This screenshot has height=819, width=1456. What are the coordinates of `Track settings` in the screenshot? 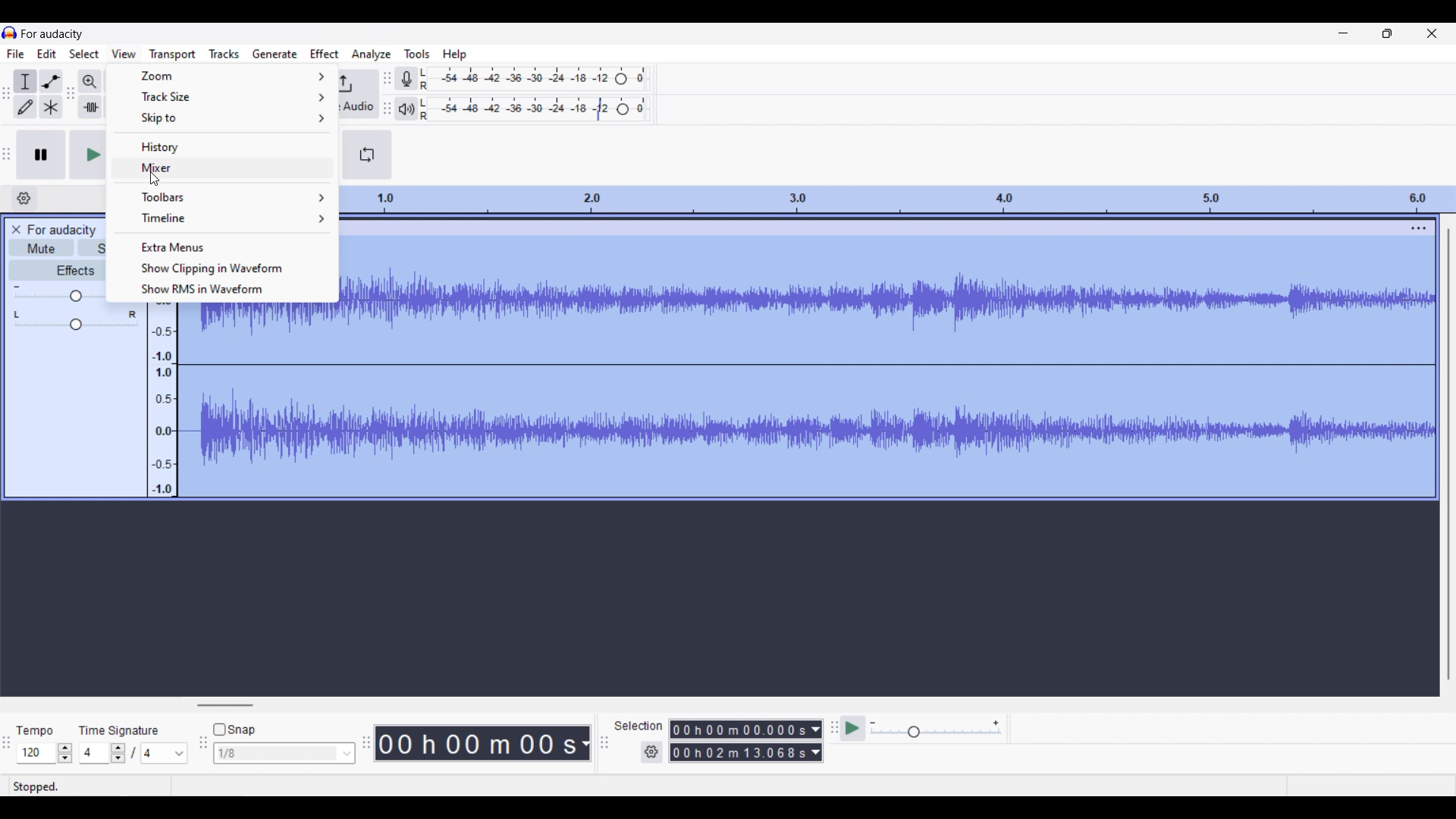 It's located at (1419, 227).